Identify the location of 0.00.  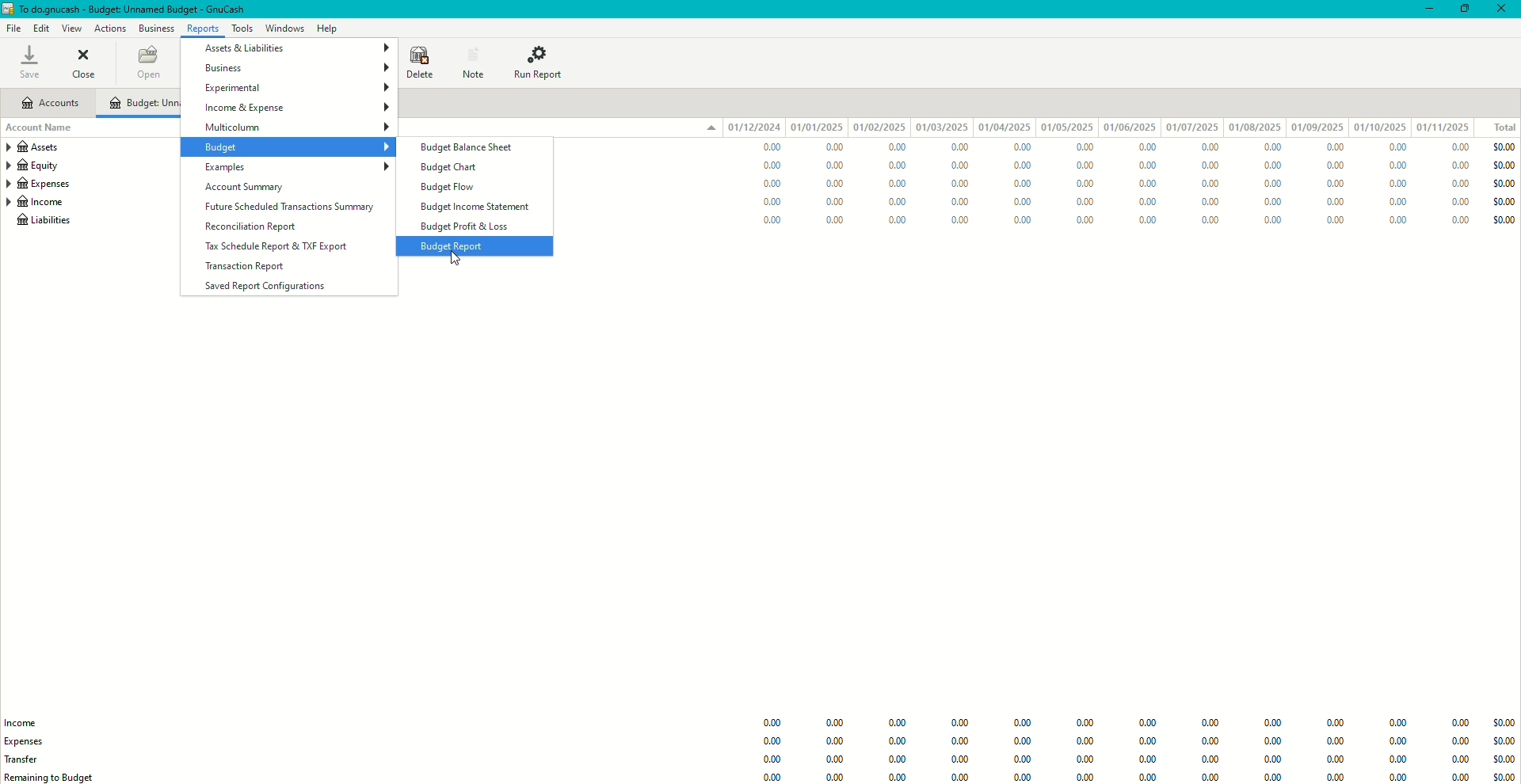
(1461, 777).